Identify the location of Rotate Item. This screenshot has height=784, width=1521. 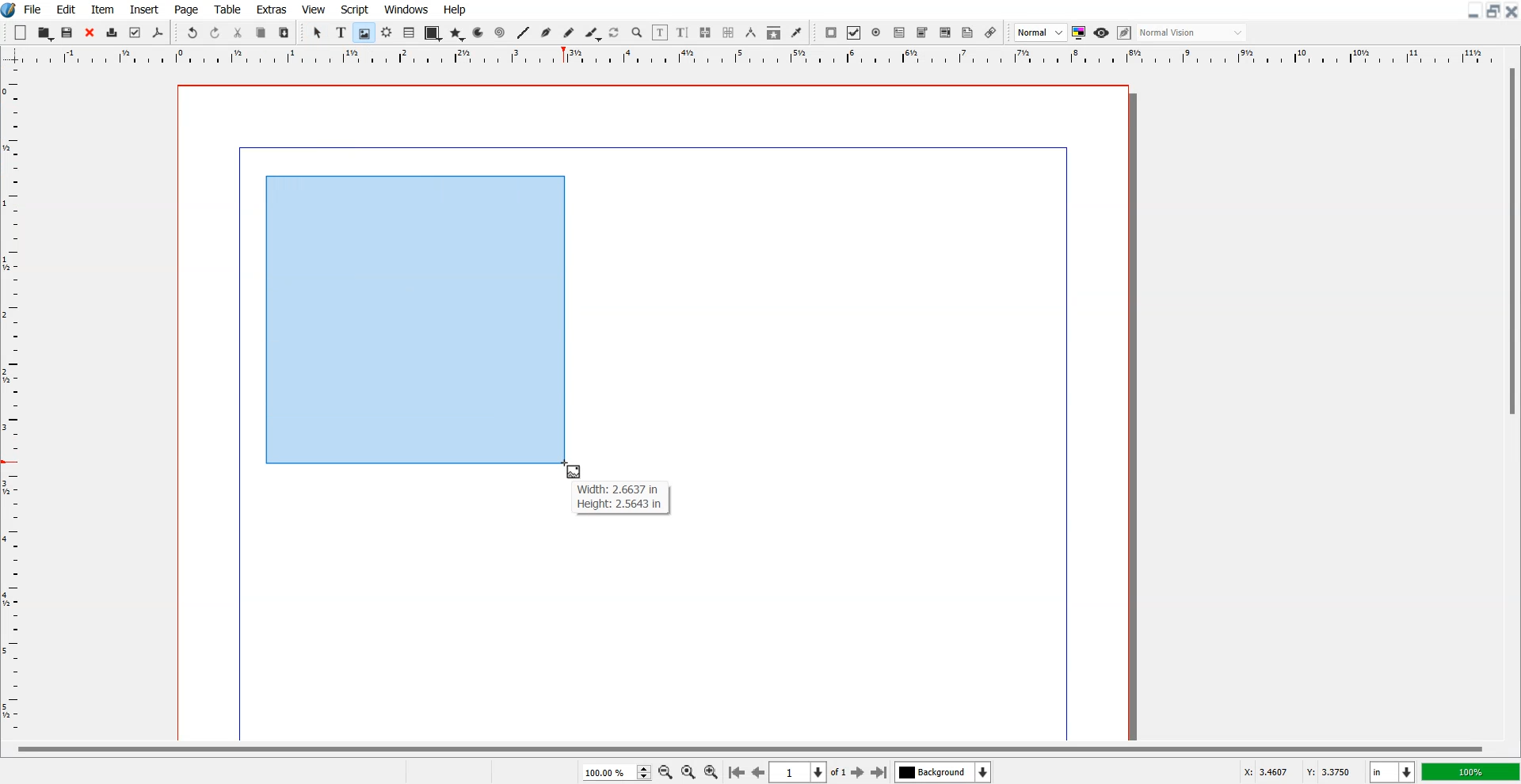
(615, 33).